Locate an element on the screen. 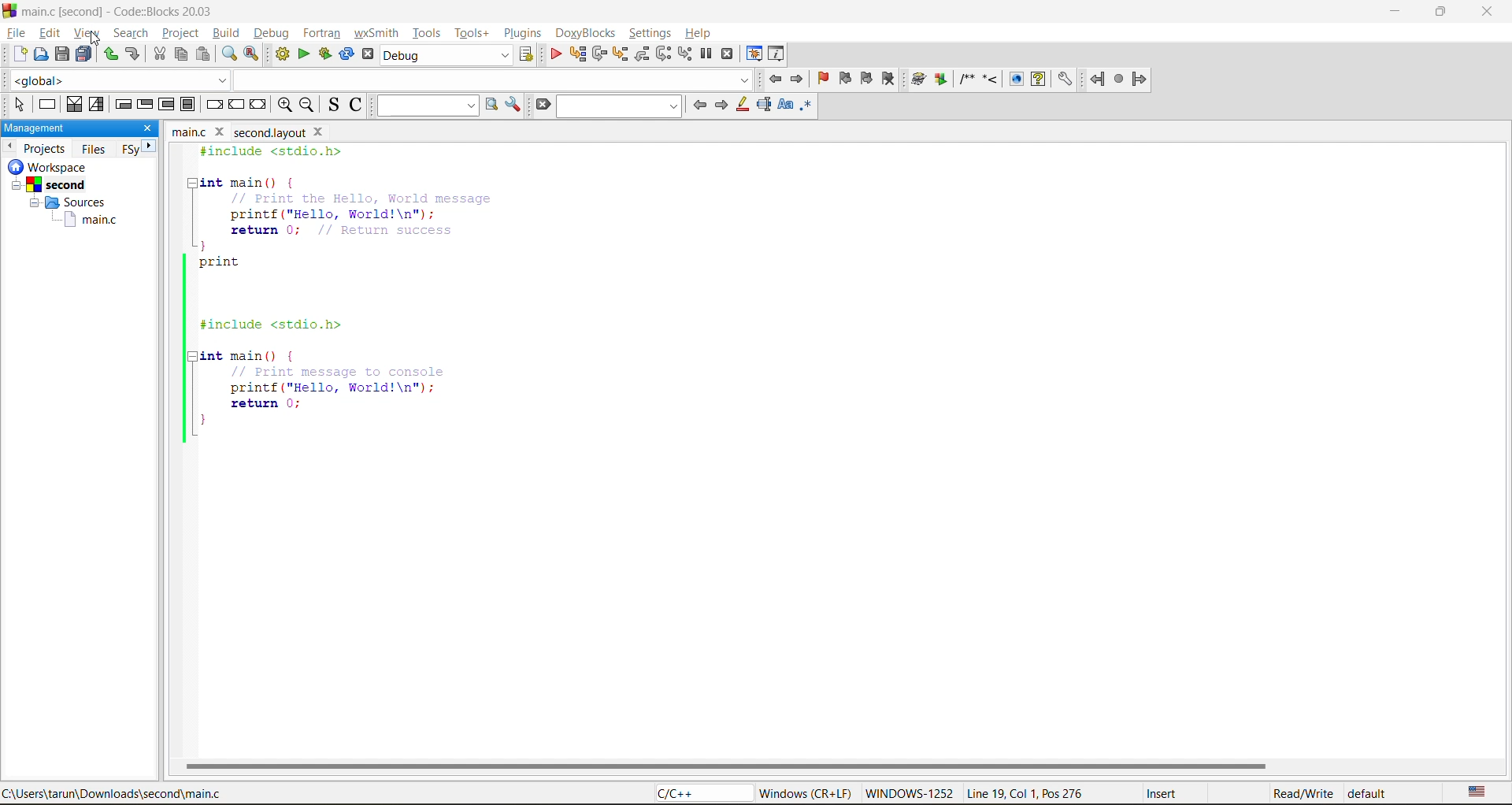  zoom in is located at coordinates (287, 105).